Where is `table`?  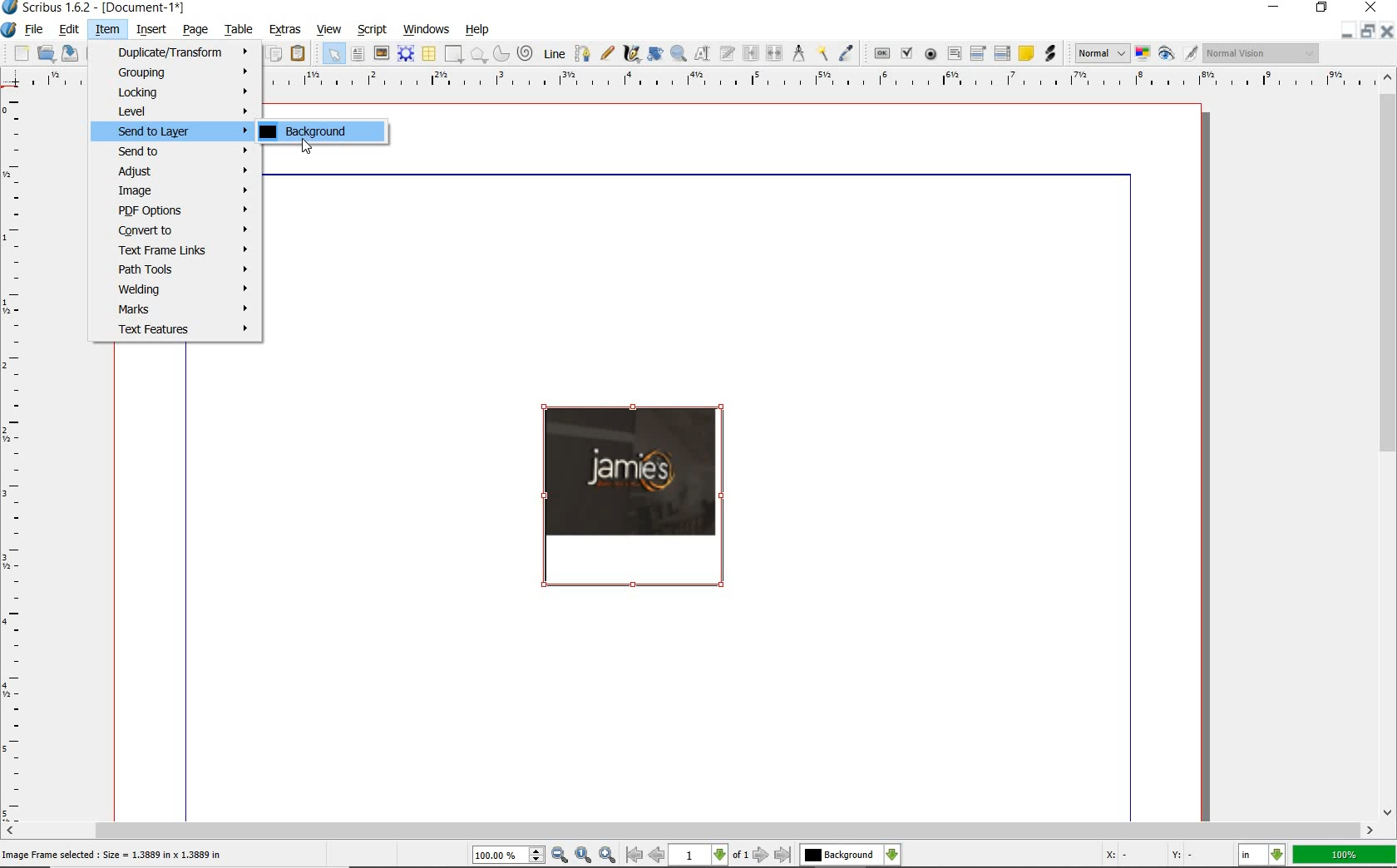
table is located at coordinates (240, 31).